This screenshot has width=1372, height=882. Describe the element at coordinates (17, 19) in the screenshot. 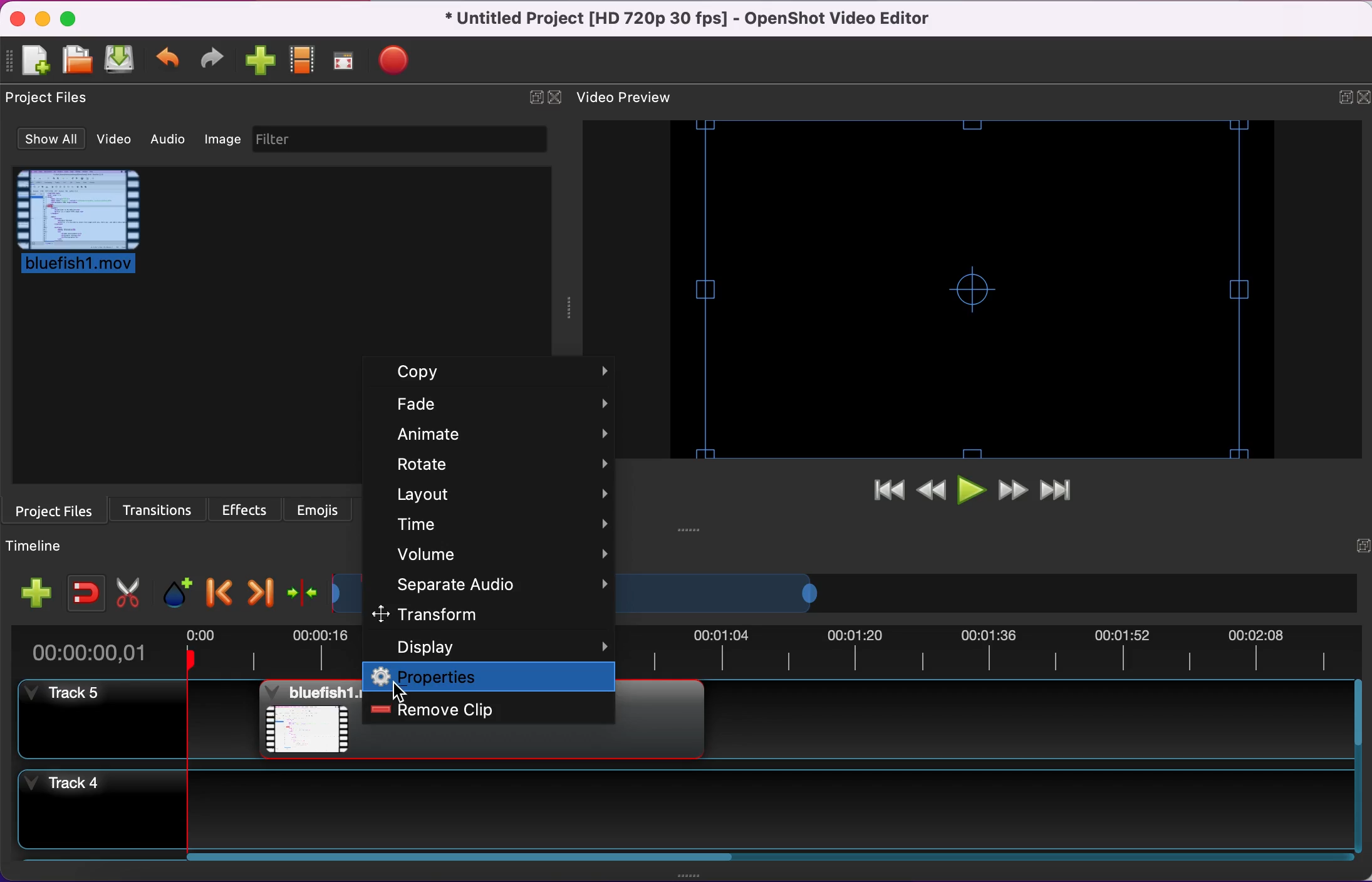

I see `close` at that location.